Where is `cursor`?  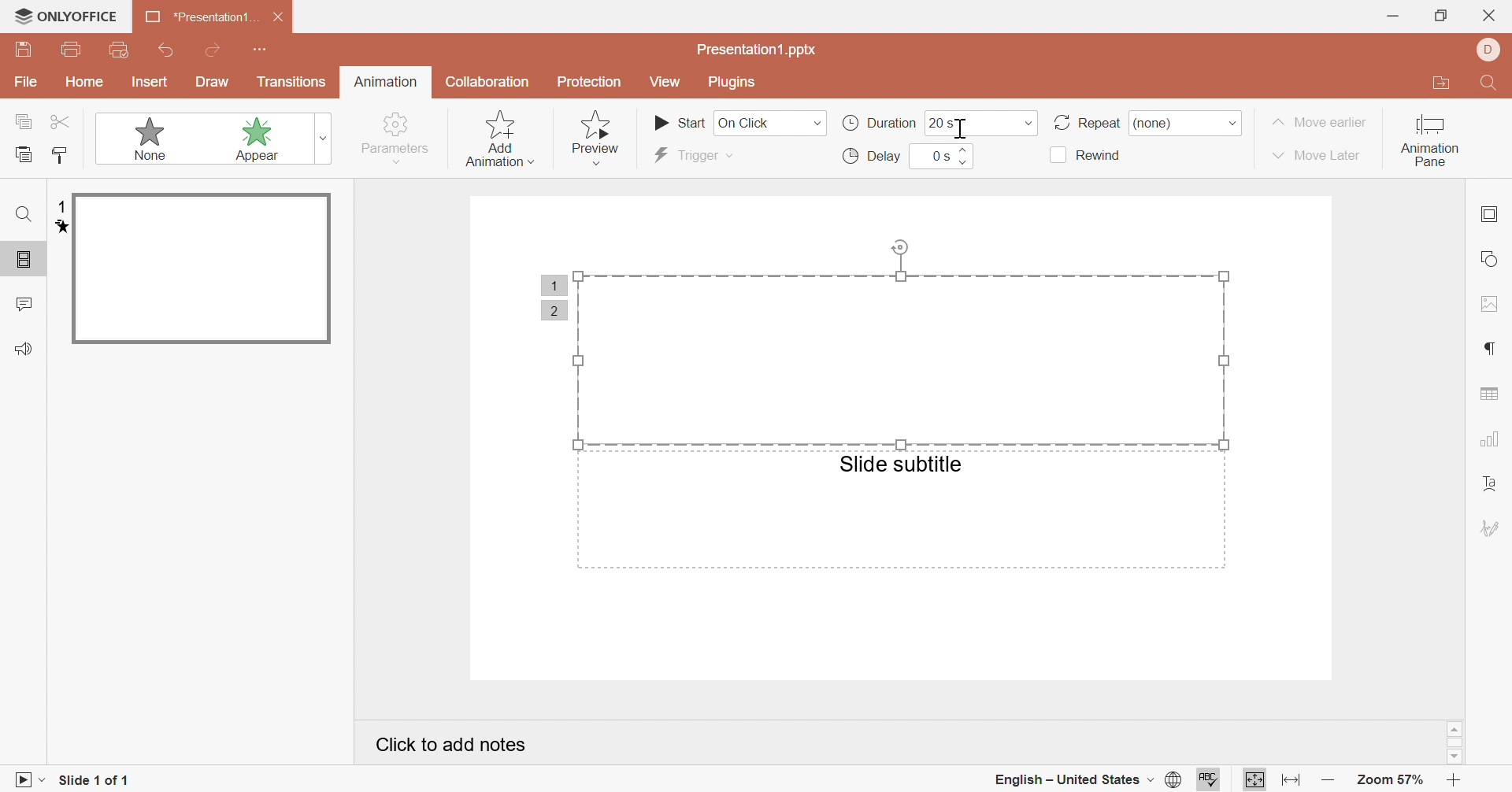 cursor is located at coordinates (962, 128).